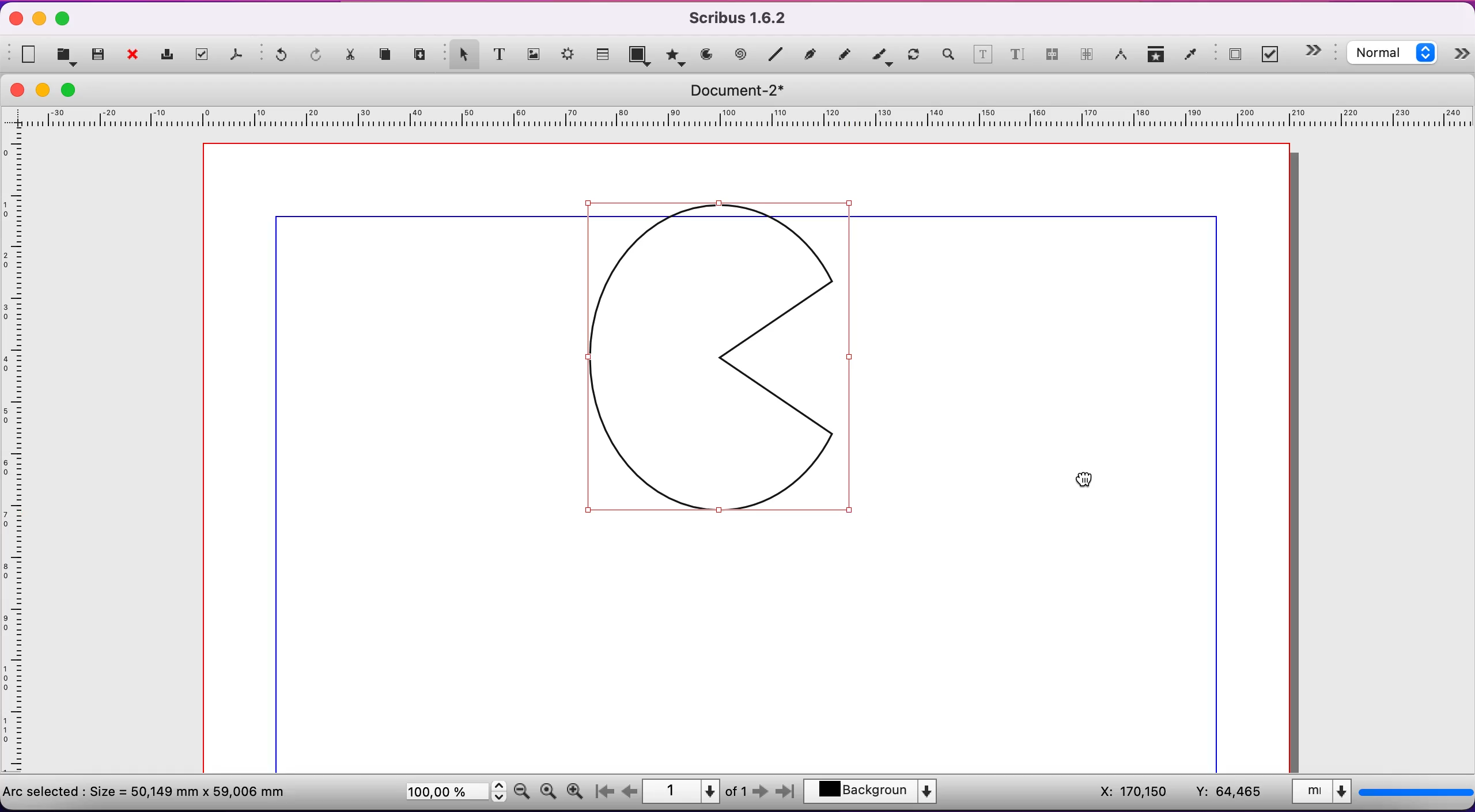 This screenshot has width=1475, height=812. I want to click on preflight verifier, so click(205, 55).